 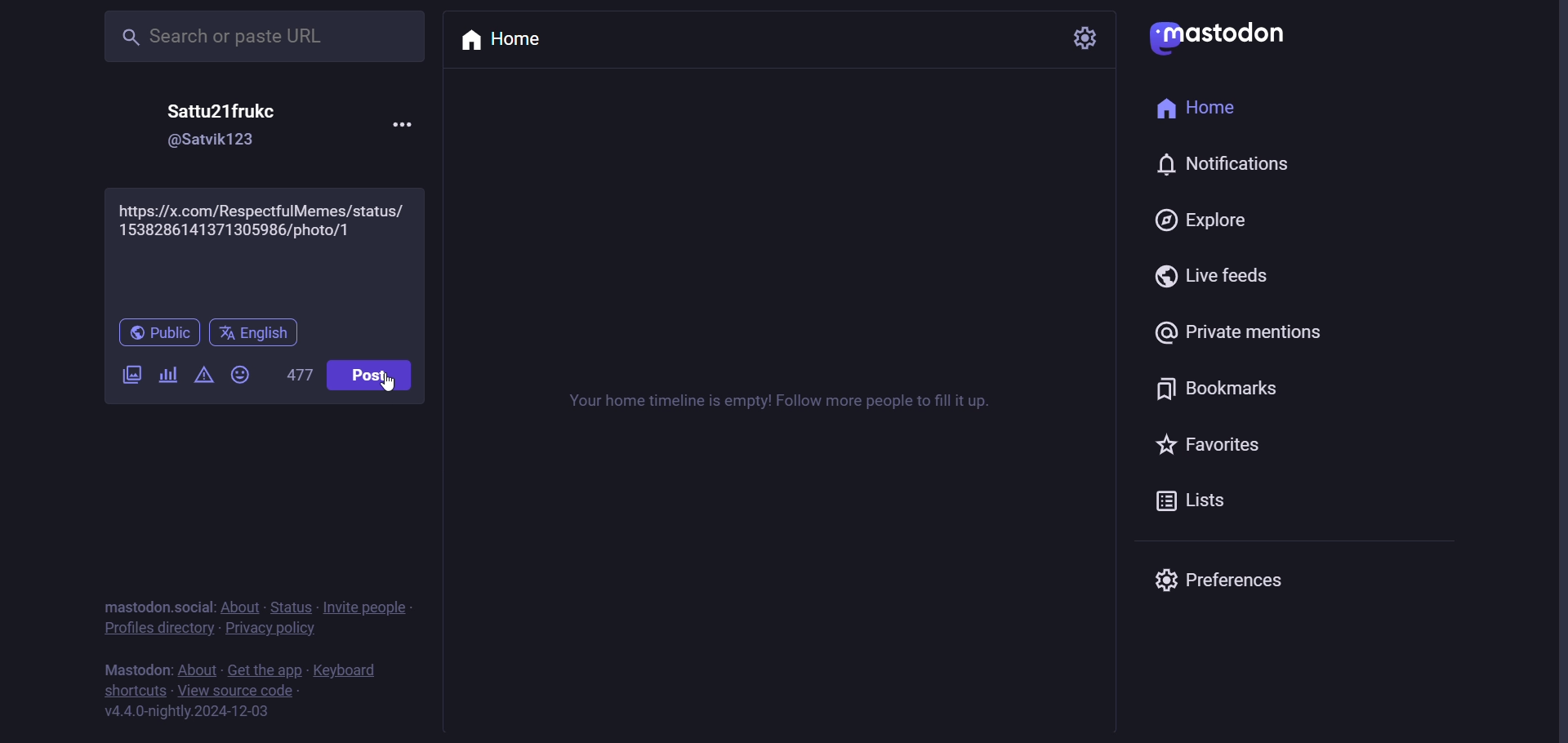 I want to click on keyboard, so click(x=348, y=670).